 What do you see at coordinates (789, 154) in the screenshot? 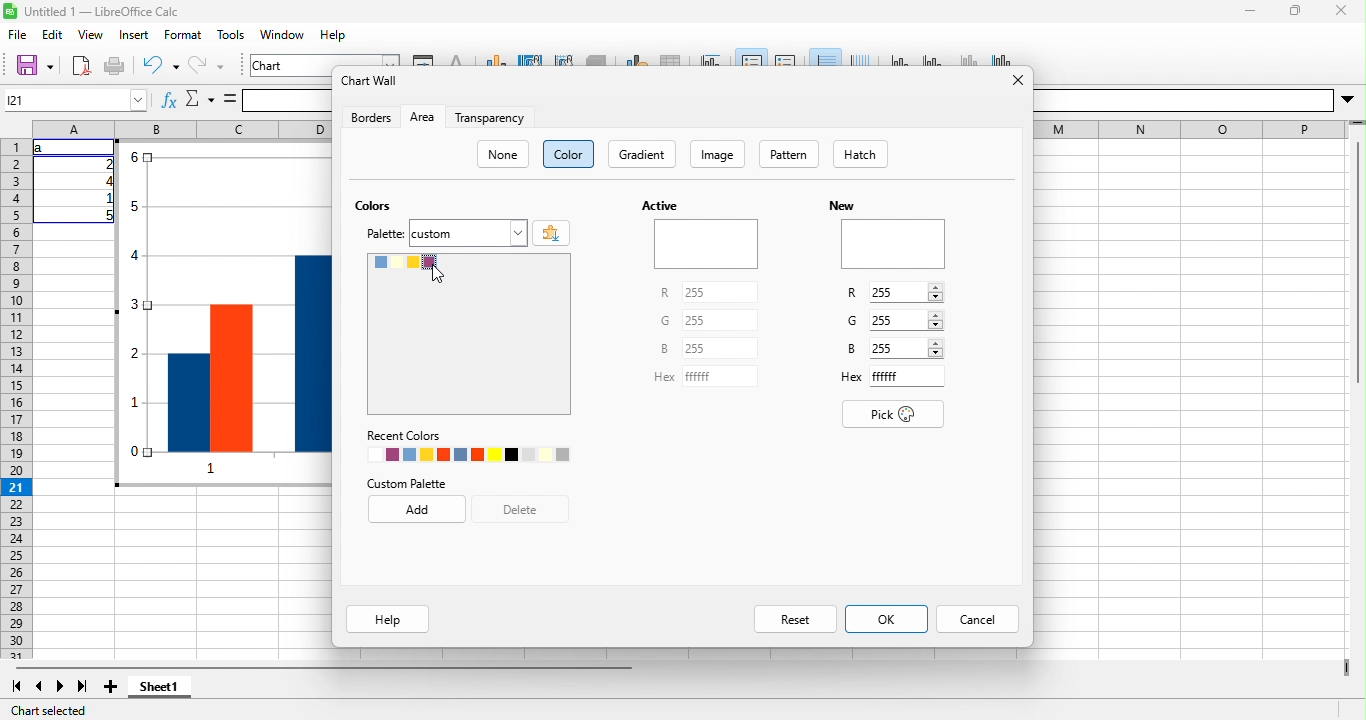
I see `pattern` at bounding box center [789, 154].